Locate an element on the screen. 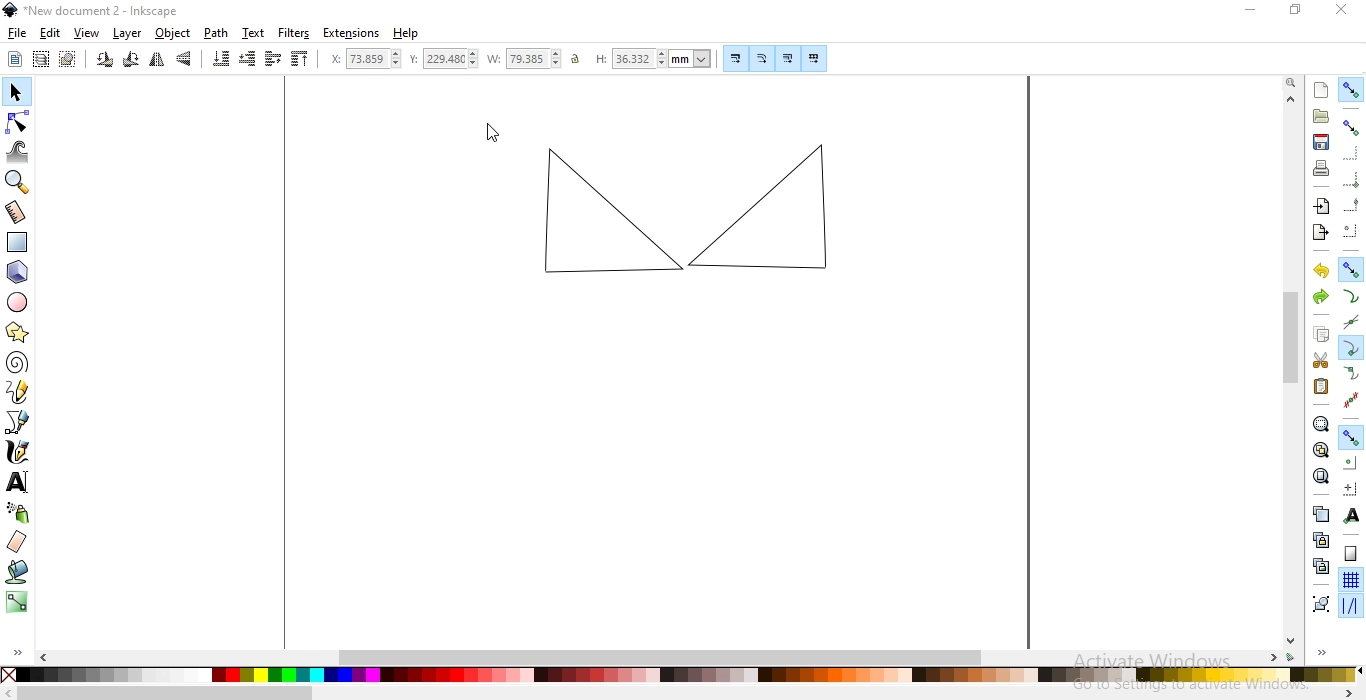  draw bezier curves and straight lines is located at coordinates (19, 424).